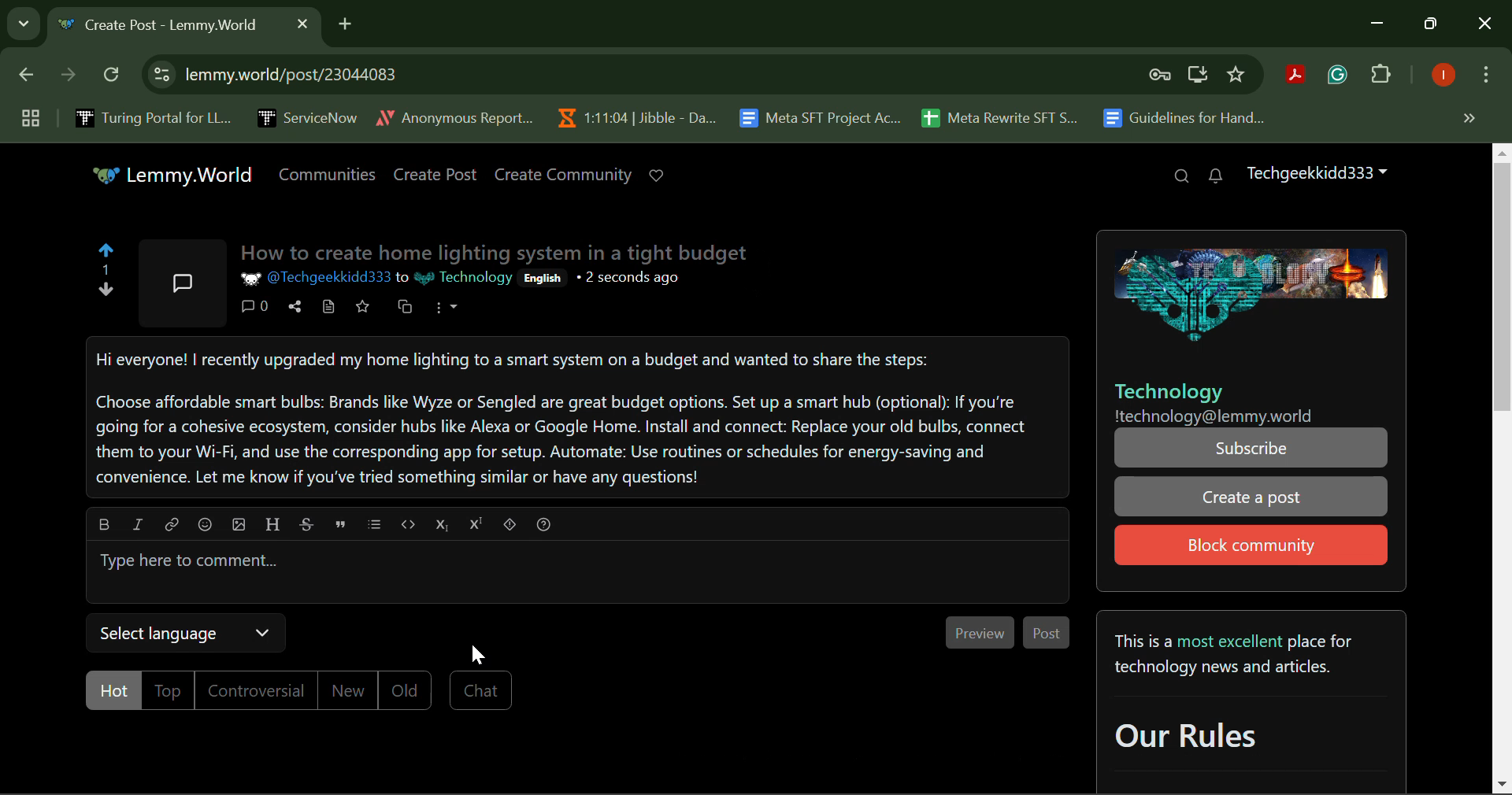 This screenshot has width=1512, height=795. What do you see at coordinates (982, 632) in the screenshot?
I see `Comment Preview` at bounding box center [982, 632].